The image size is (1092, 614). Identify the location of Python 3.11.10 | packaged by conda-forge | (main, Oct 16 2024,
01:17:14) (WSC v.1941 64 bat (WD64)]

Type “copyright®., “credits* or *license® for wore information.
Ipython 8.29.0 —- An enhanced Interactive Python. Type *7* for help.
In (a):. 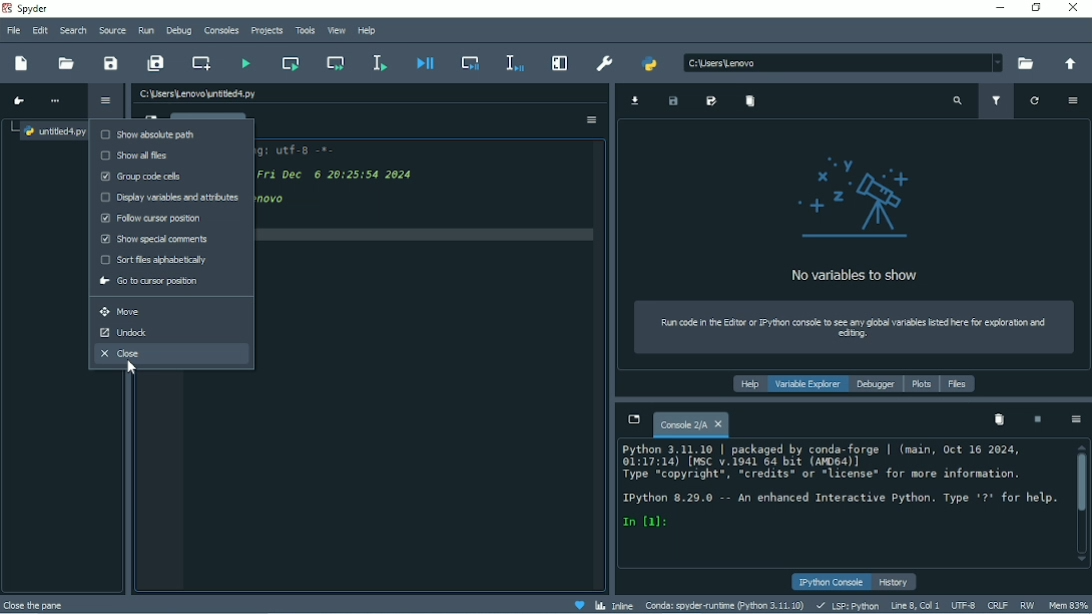
(841, 490).